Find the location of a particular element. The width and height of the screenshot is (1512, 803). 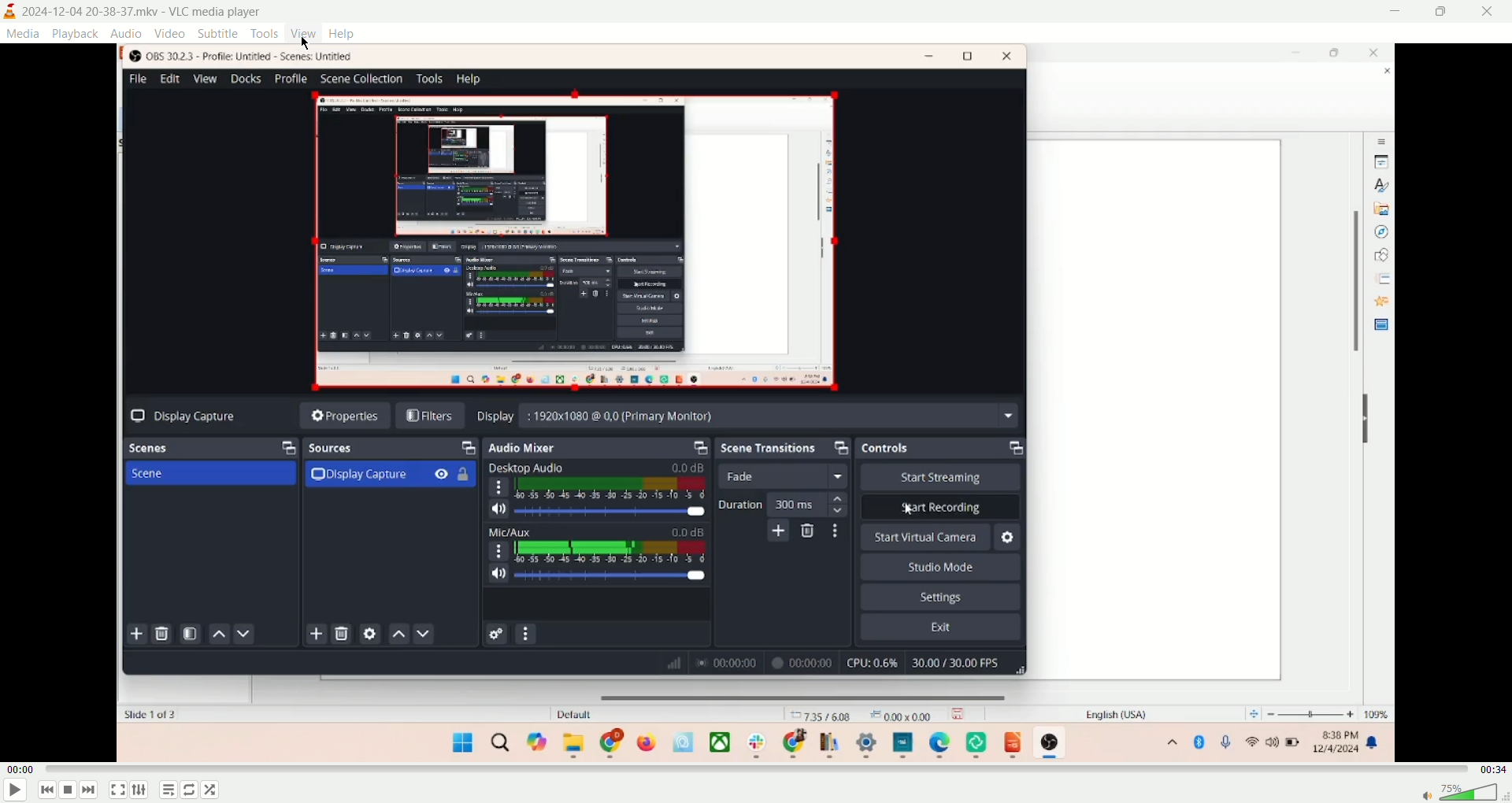

shuffle is located at coordinates (216, 789).